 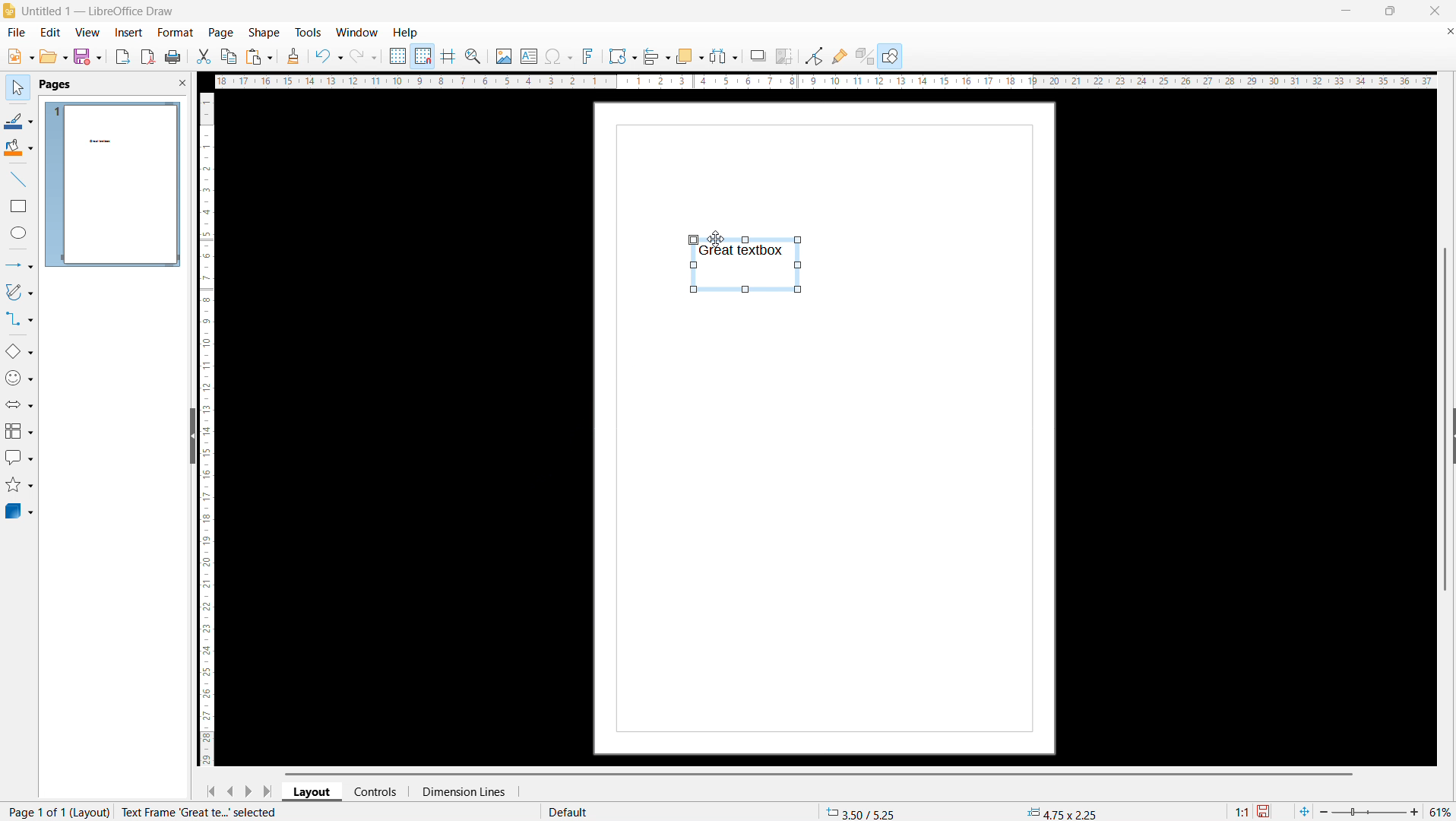 What do you see at coordinates (19, 88) in the screenshot?
I see `select` at bounding box center [19, 88].